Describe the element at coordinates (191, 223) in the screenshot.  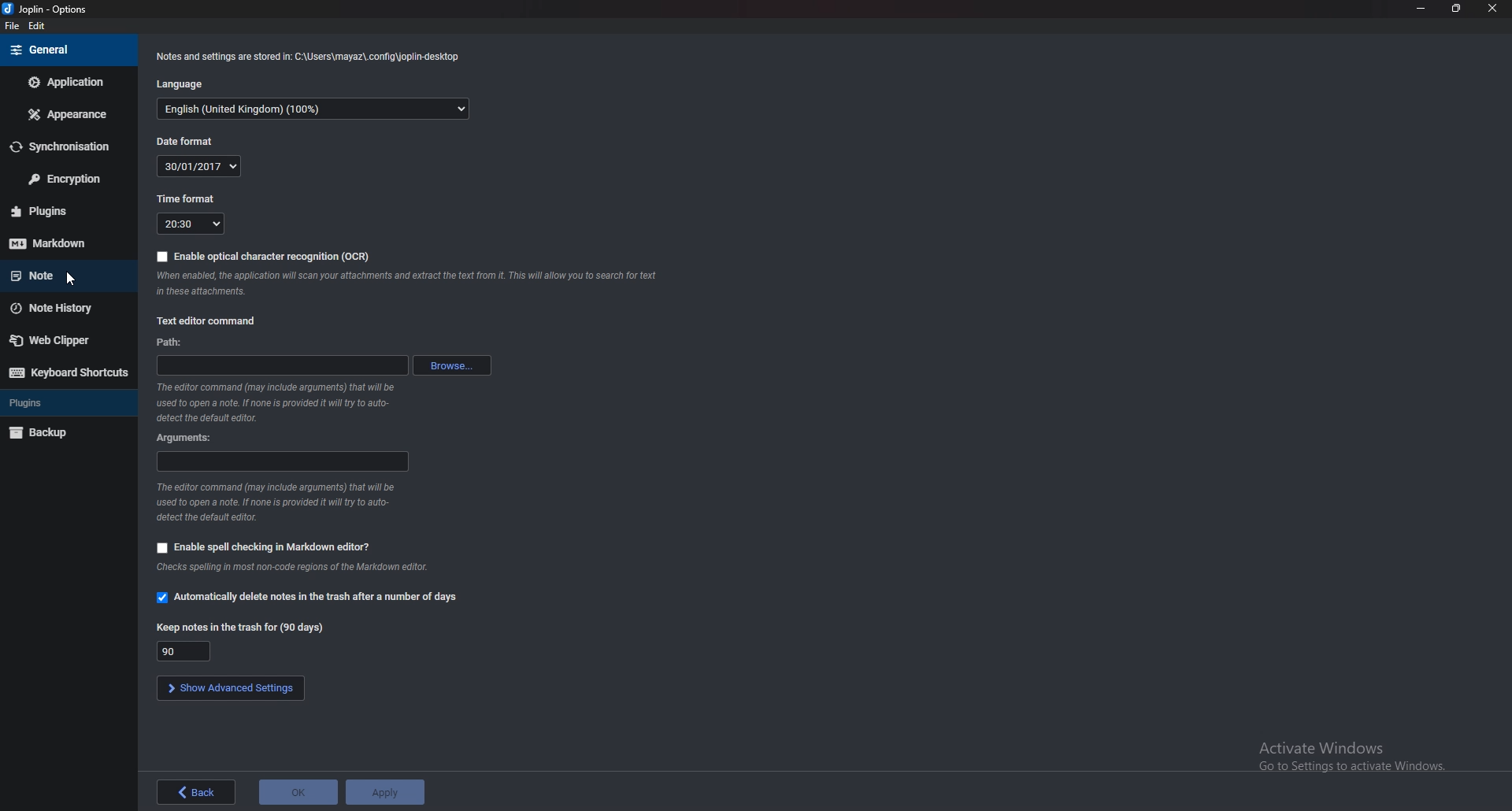
I see `time format` at that location.